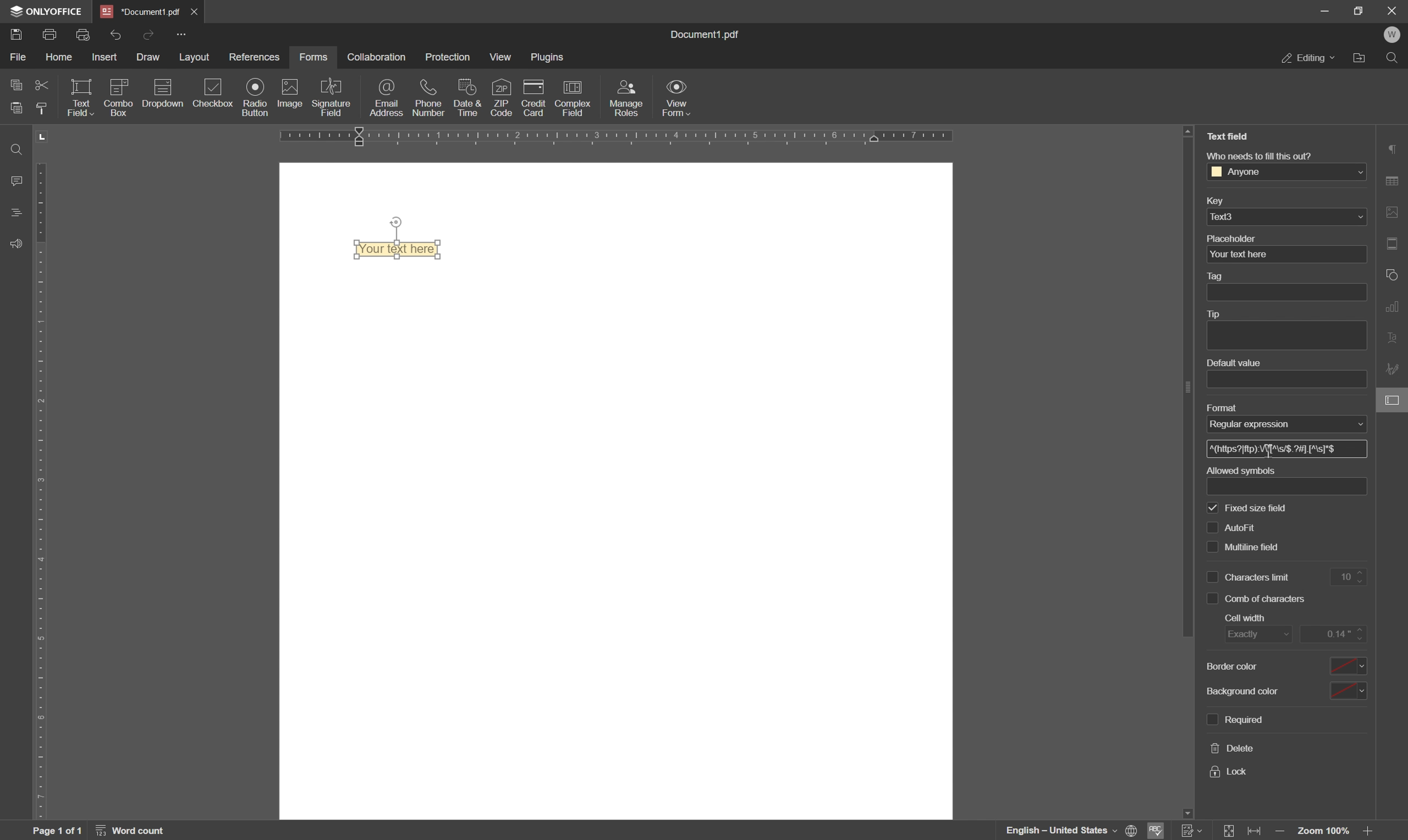  Describe the element at coordinates (45, 474) in the screenshot. I see `ruler` at that location.